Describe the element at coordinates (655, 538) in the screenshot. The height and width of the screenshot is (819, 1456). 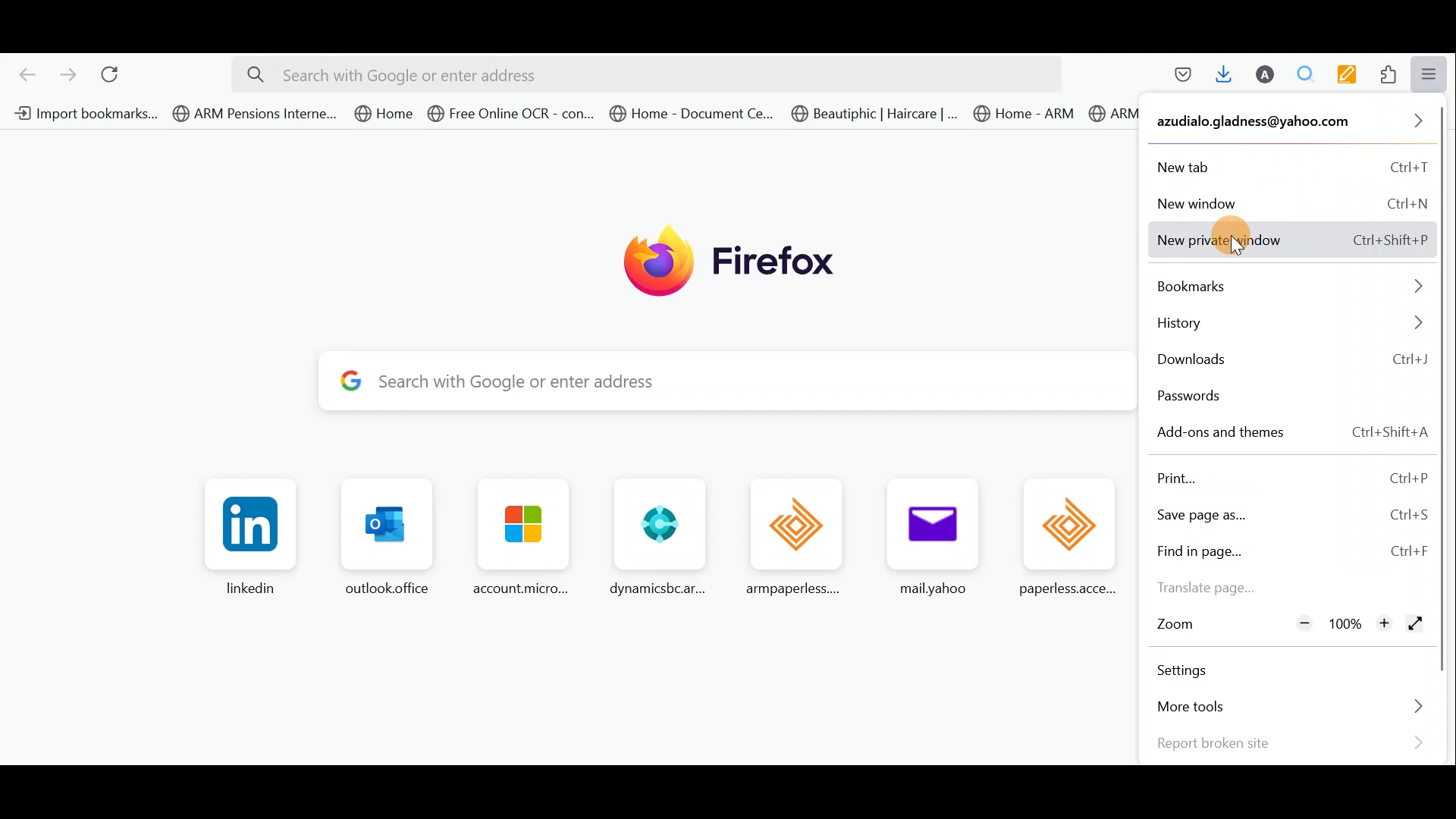
I see `dynamicsbc.ar...` at that location.